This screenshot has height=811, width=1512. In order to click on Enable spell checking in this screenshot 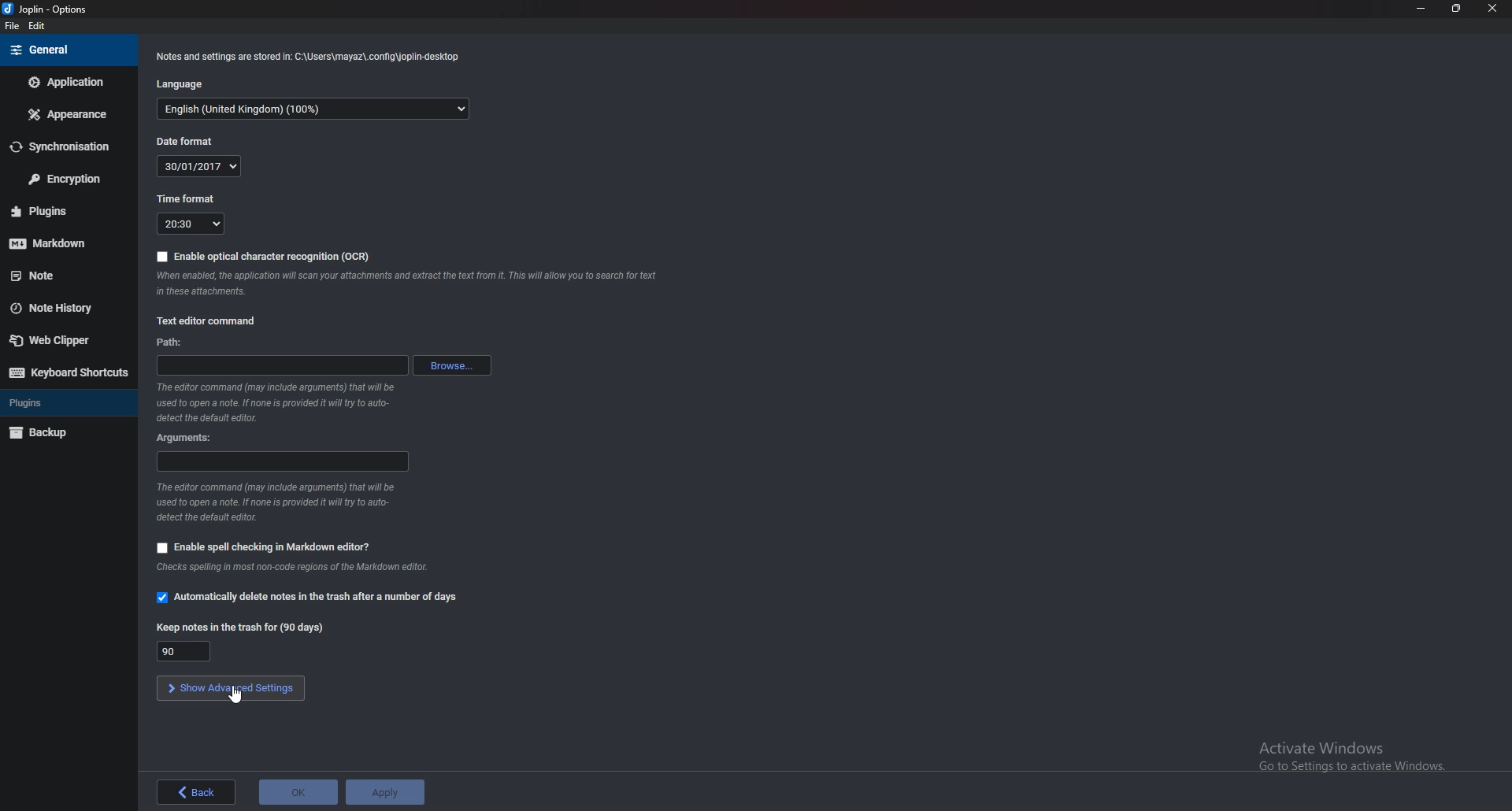, I will do `click(265, 546)`.